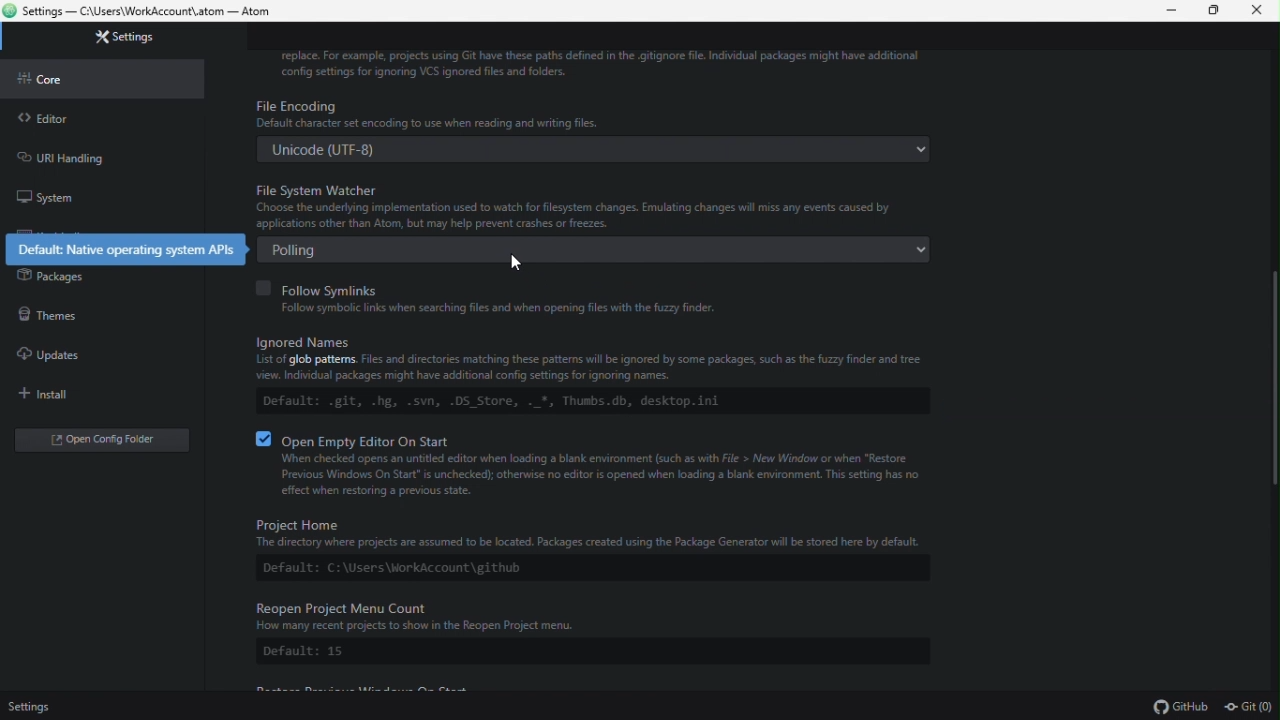  Describe the element at coordinates (110, 42) in the screenshot. I see `settings` at that location.